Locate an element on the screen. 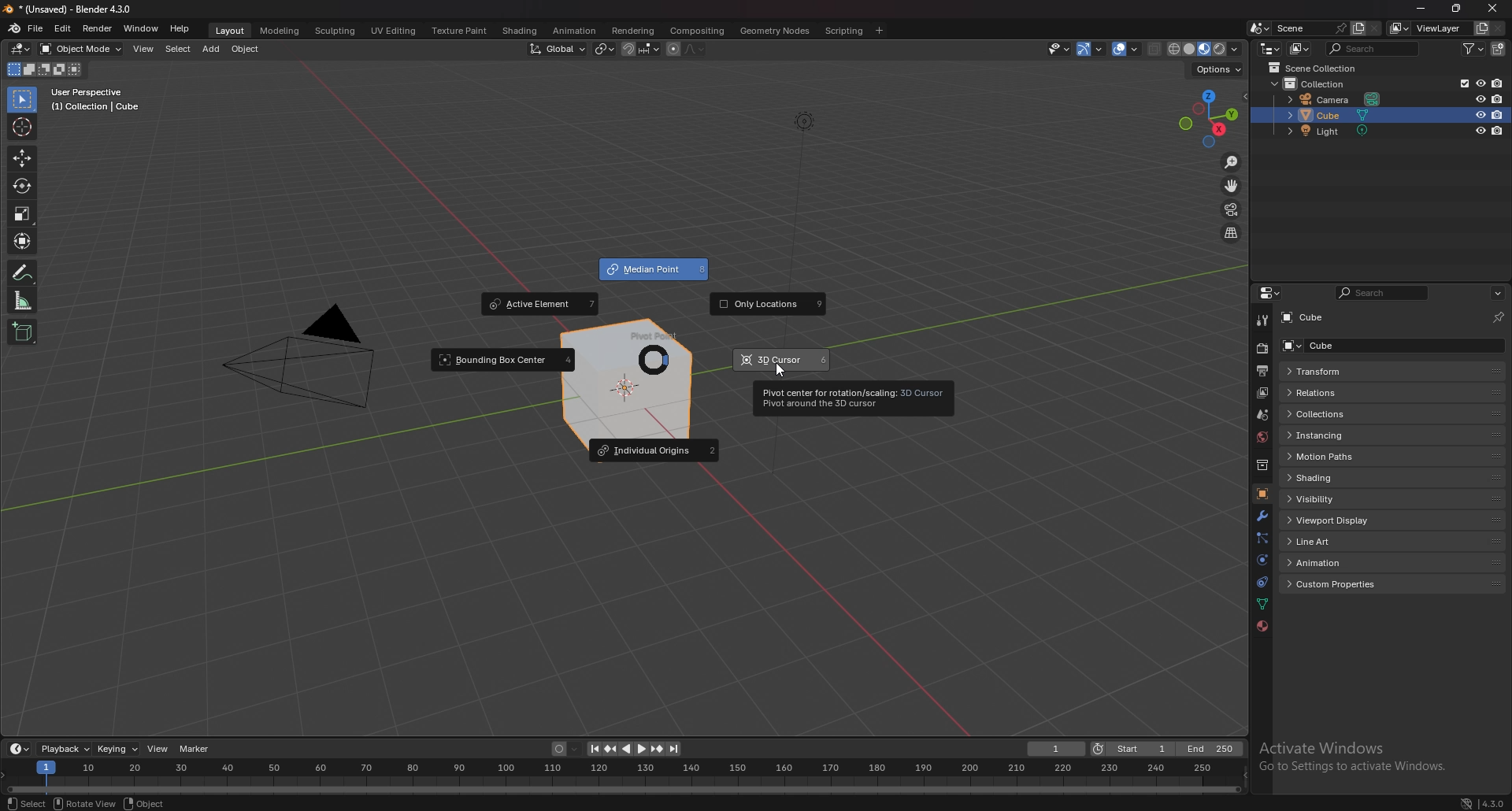 This screenshot has height=811, width=1512. view is located at coordinates (143, 49).